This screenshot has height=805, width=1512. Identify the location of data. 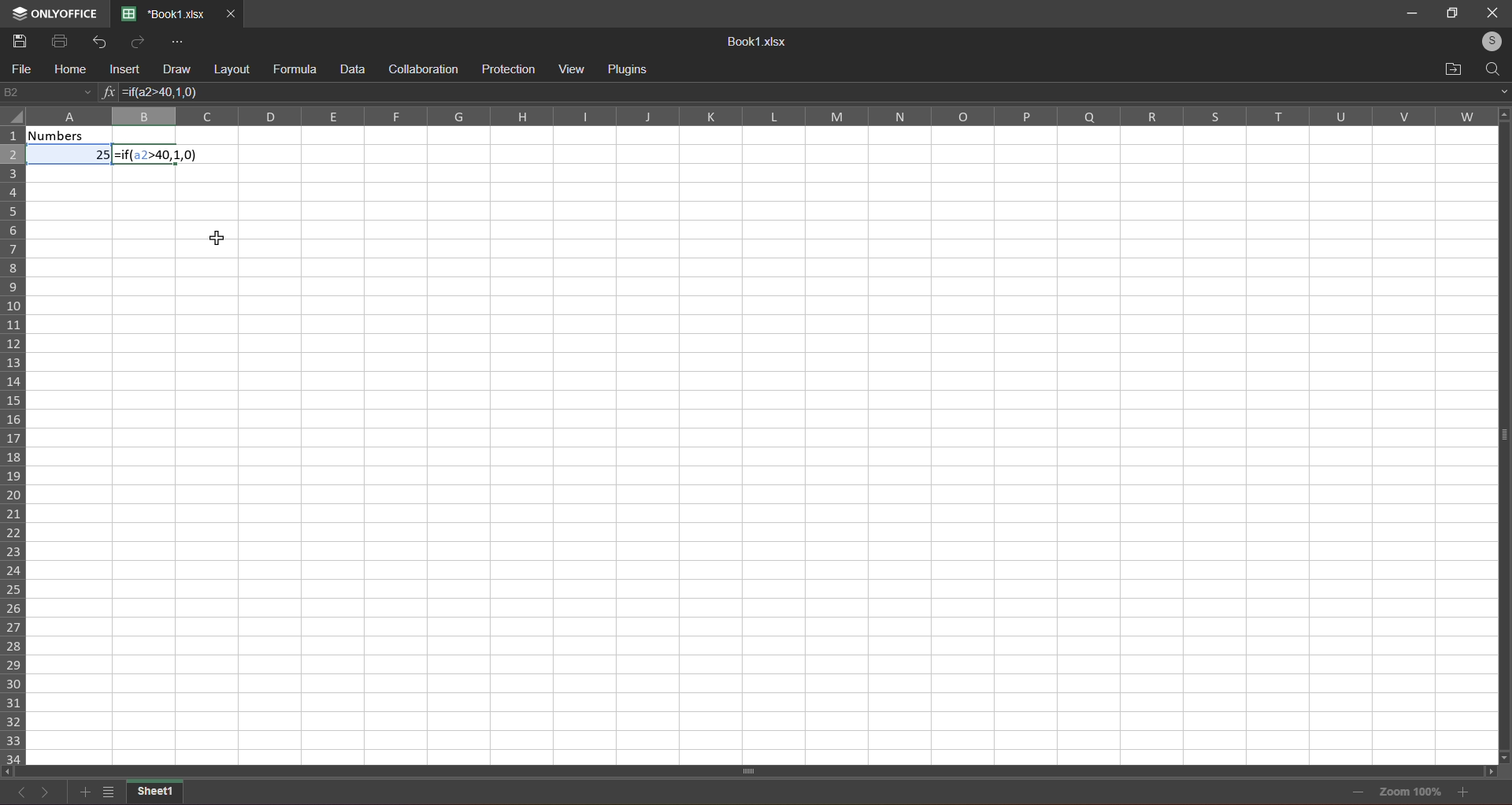
(350, 69).